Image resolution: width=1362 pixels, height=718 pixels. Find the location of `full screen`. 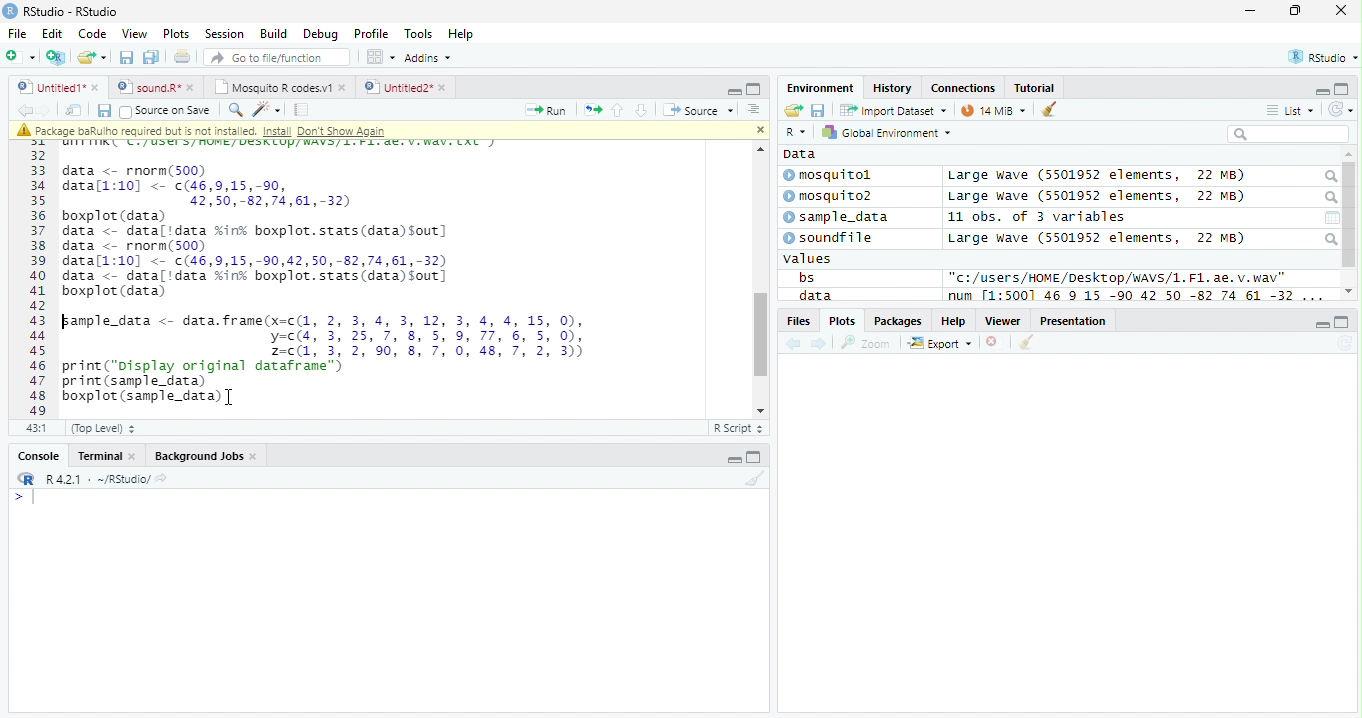

full screen is located at coordinates (1343, 322).